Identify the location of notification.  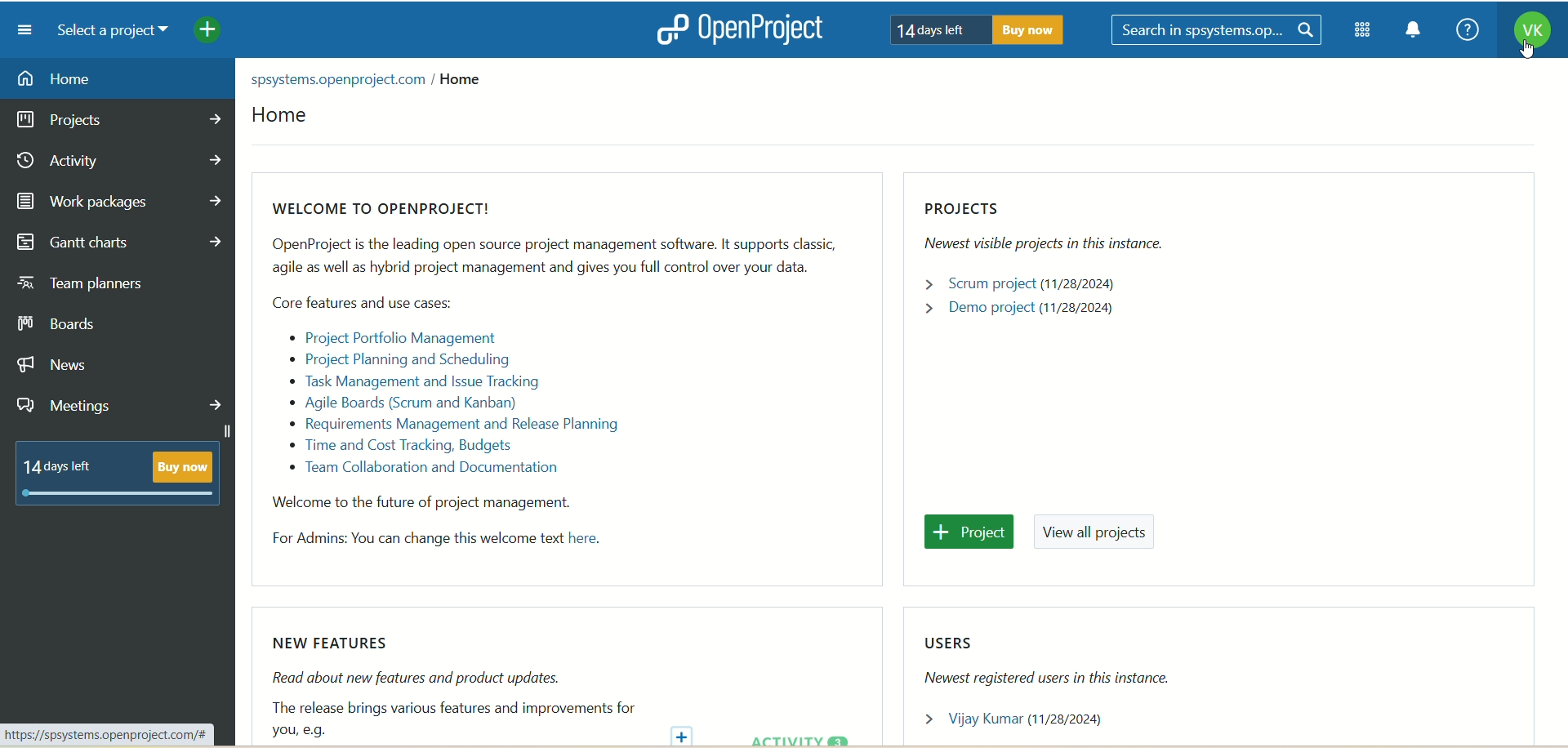
(1414, 32).